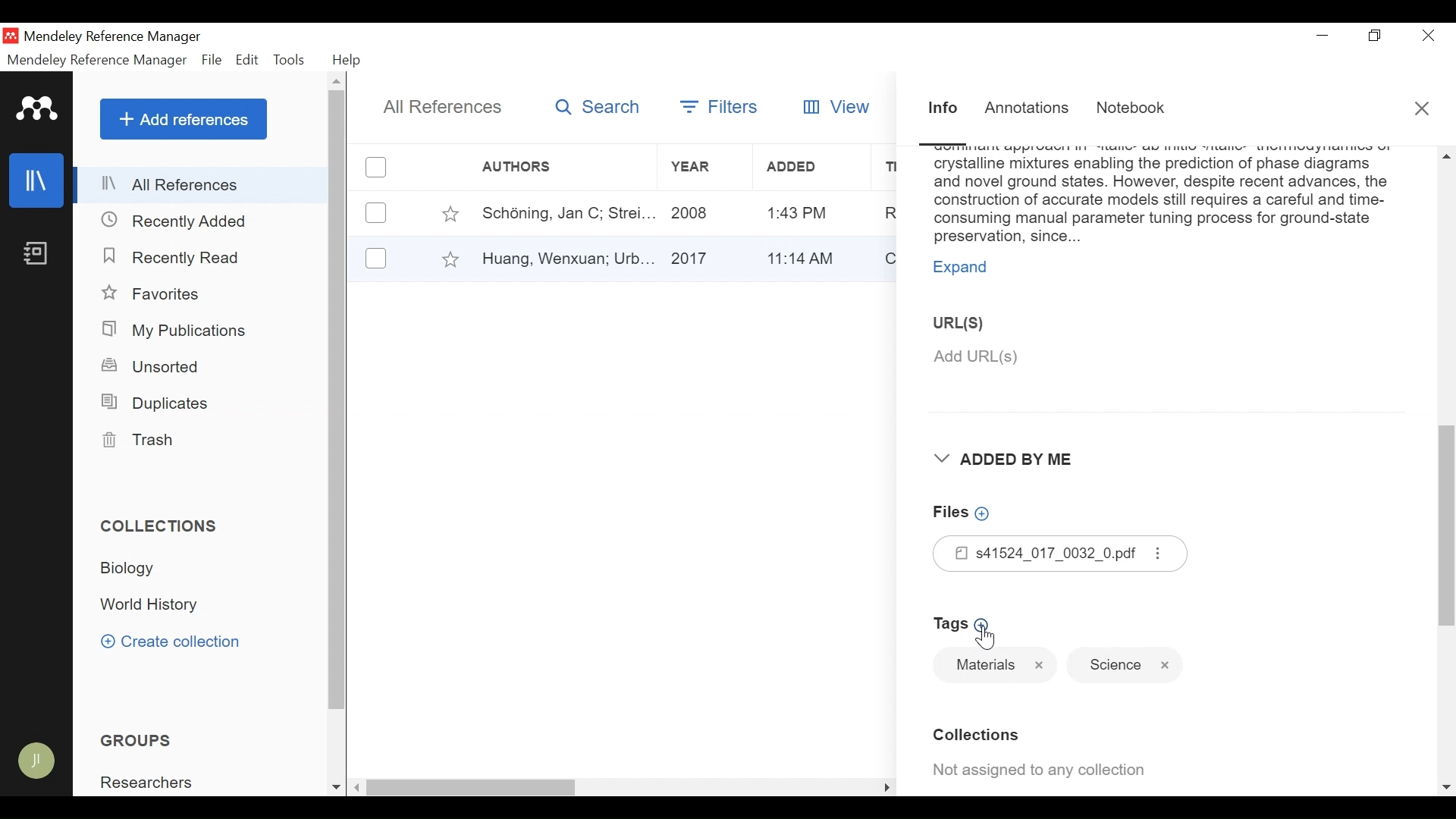  What do you see at coordinates (1062, 554) in the screenshot?
I see `Files` at bounding box center [1062, 554].